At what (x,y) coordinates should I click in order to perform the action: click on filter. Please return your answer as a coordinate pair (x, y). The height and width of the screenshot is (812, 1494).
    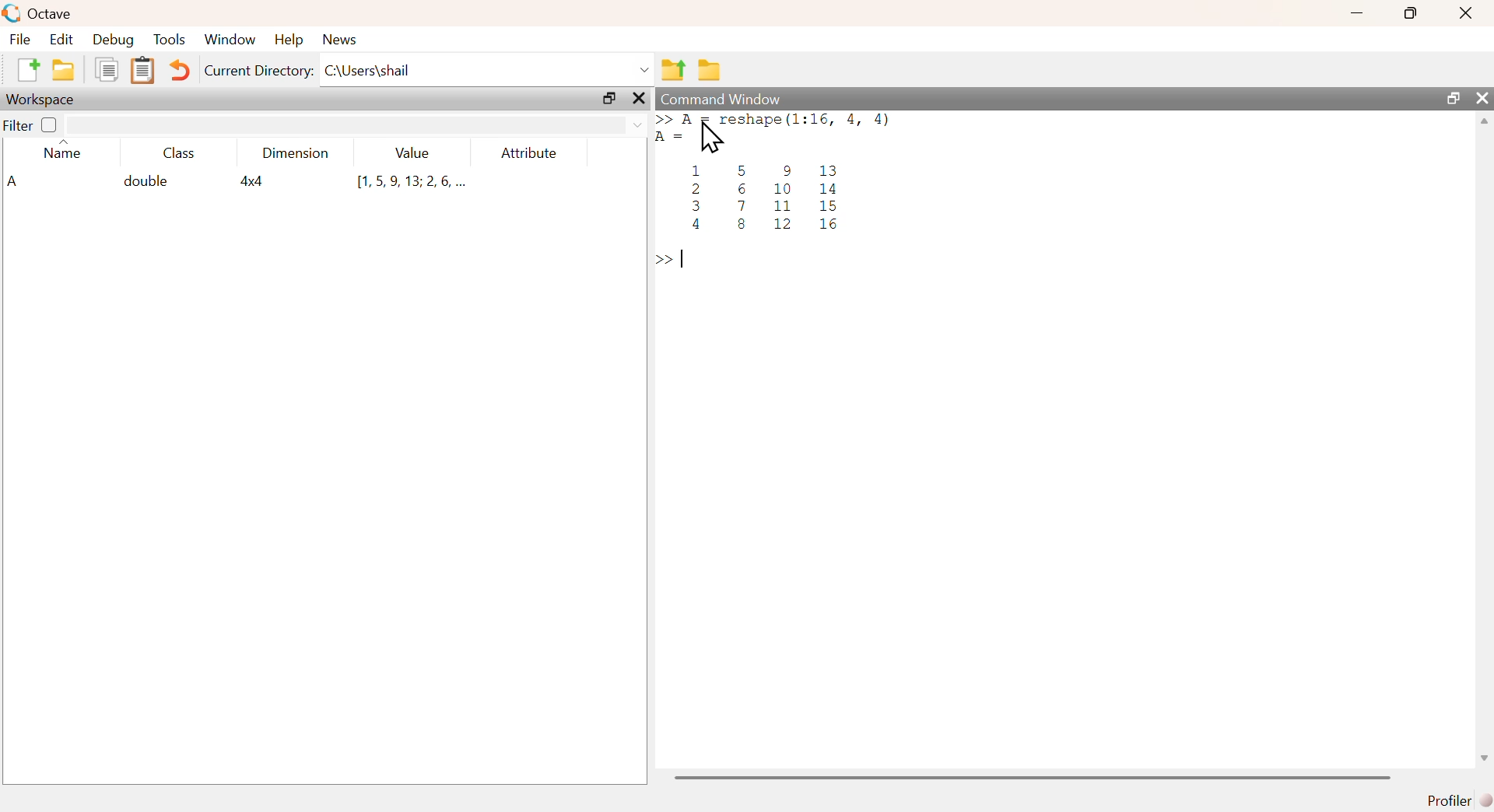
    Looking at the image, I should click on (17, 126).